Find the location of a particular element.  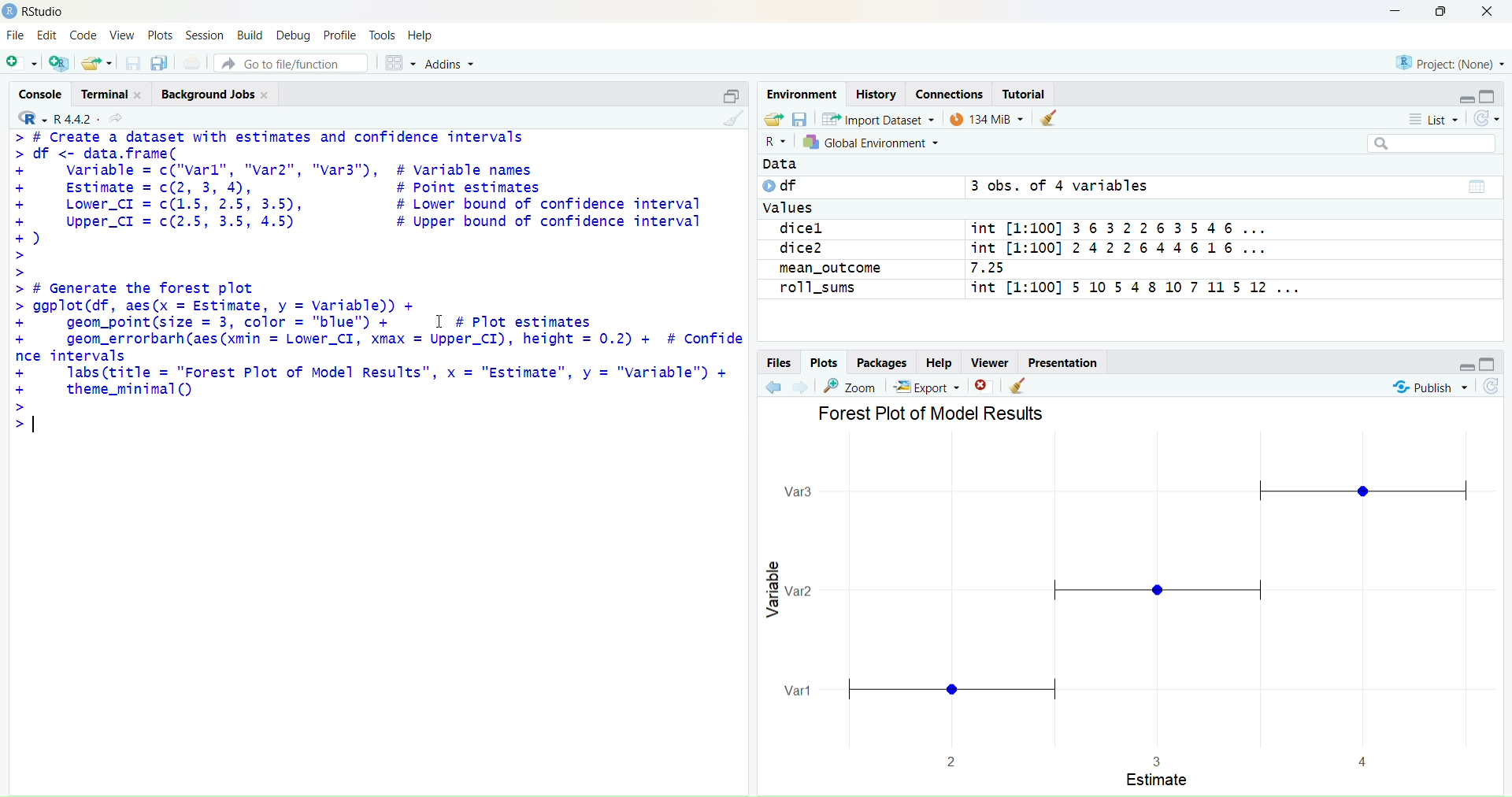

R 4.4.2 is located at coordinates (52, 118).